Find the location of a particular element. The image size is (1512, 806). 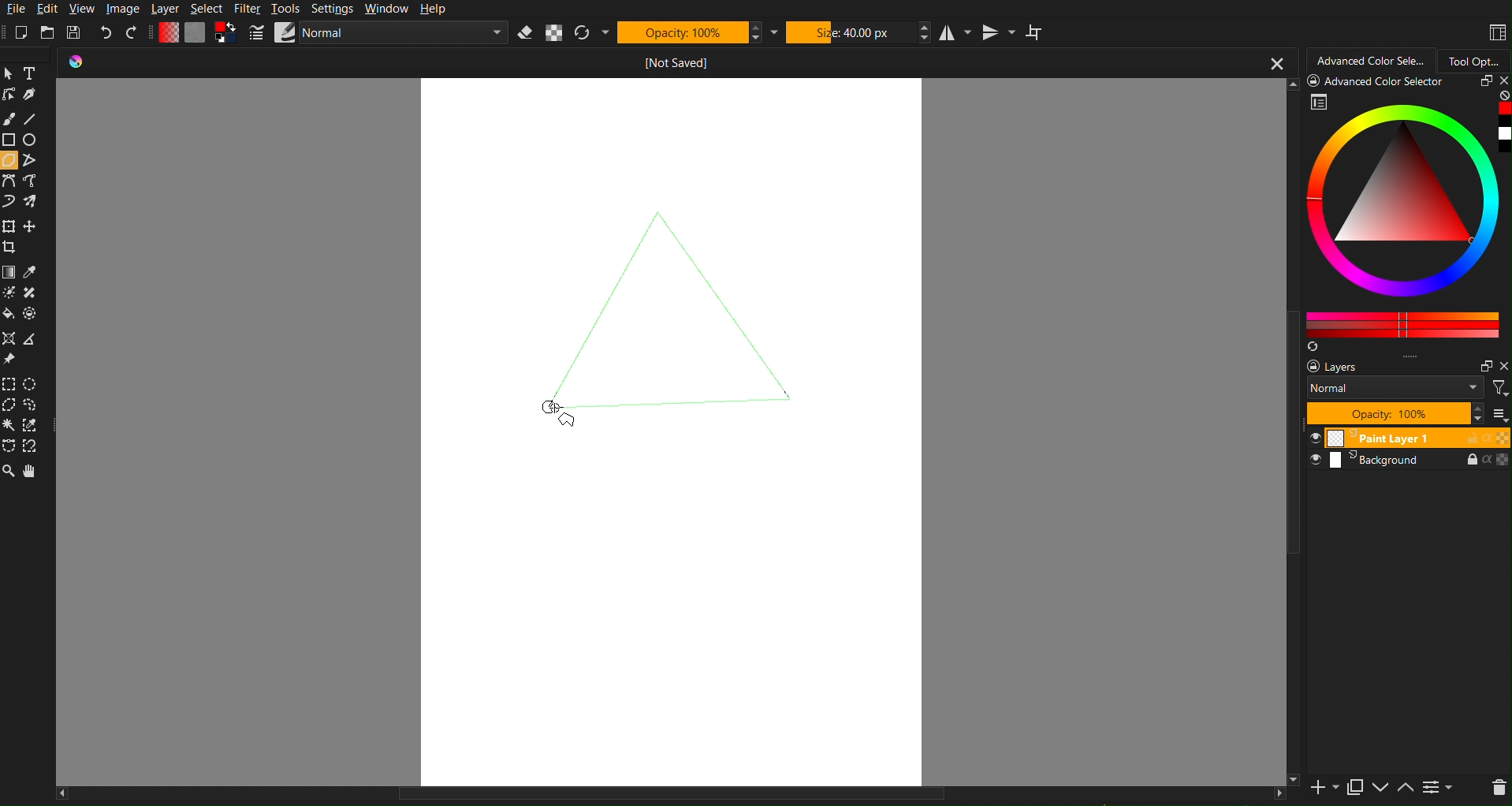

duplicate layer or mask is located at coordinates (1354, 787).